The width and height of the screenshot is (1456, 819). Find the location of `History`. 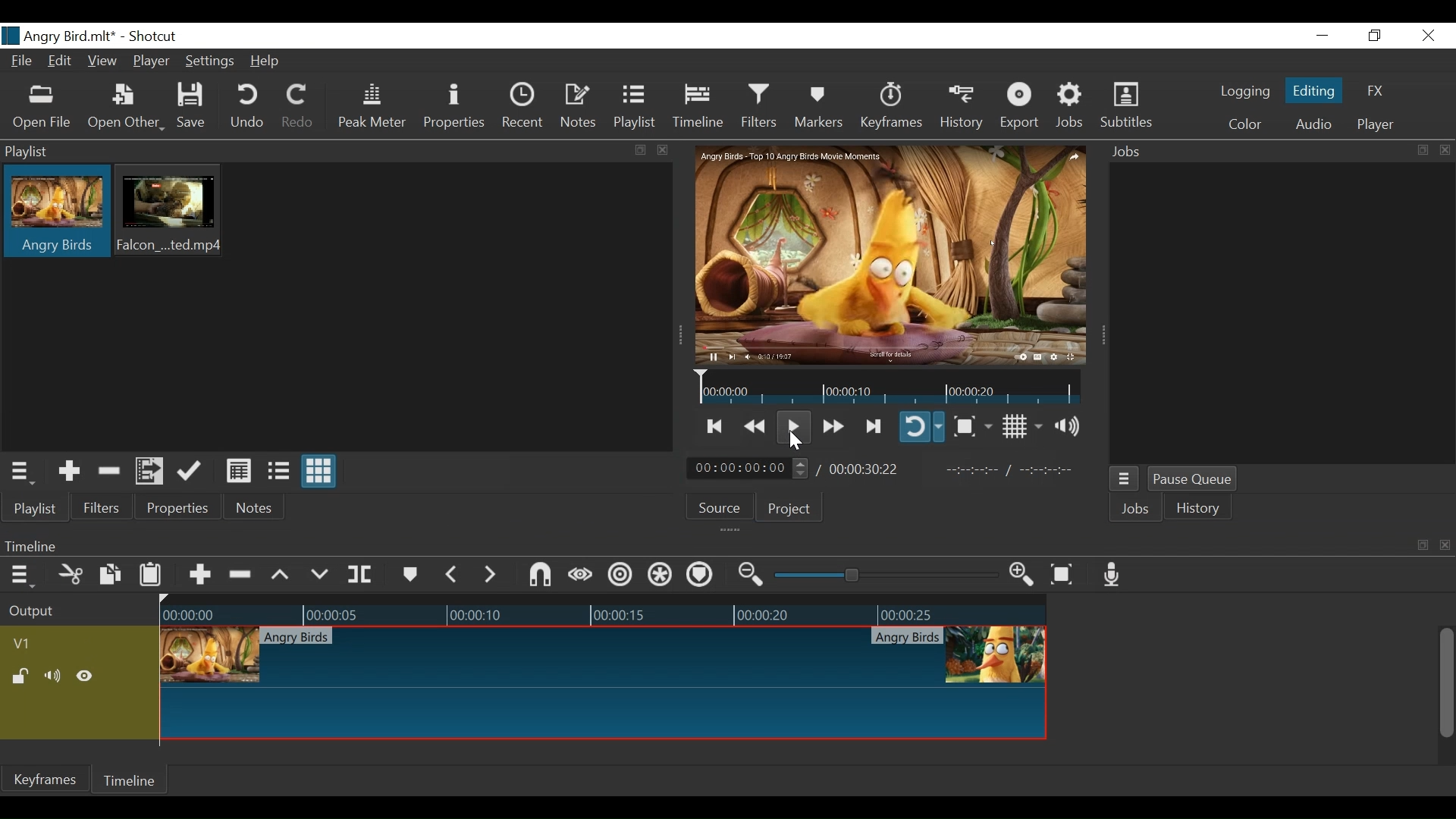

History is located at coordinates (964, 108).